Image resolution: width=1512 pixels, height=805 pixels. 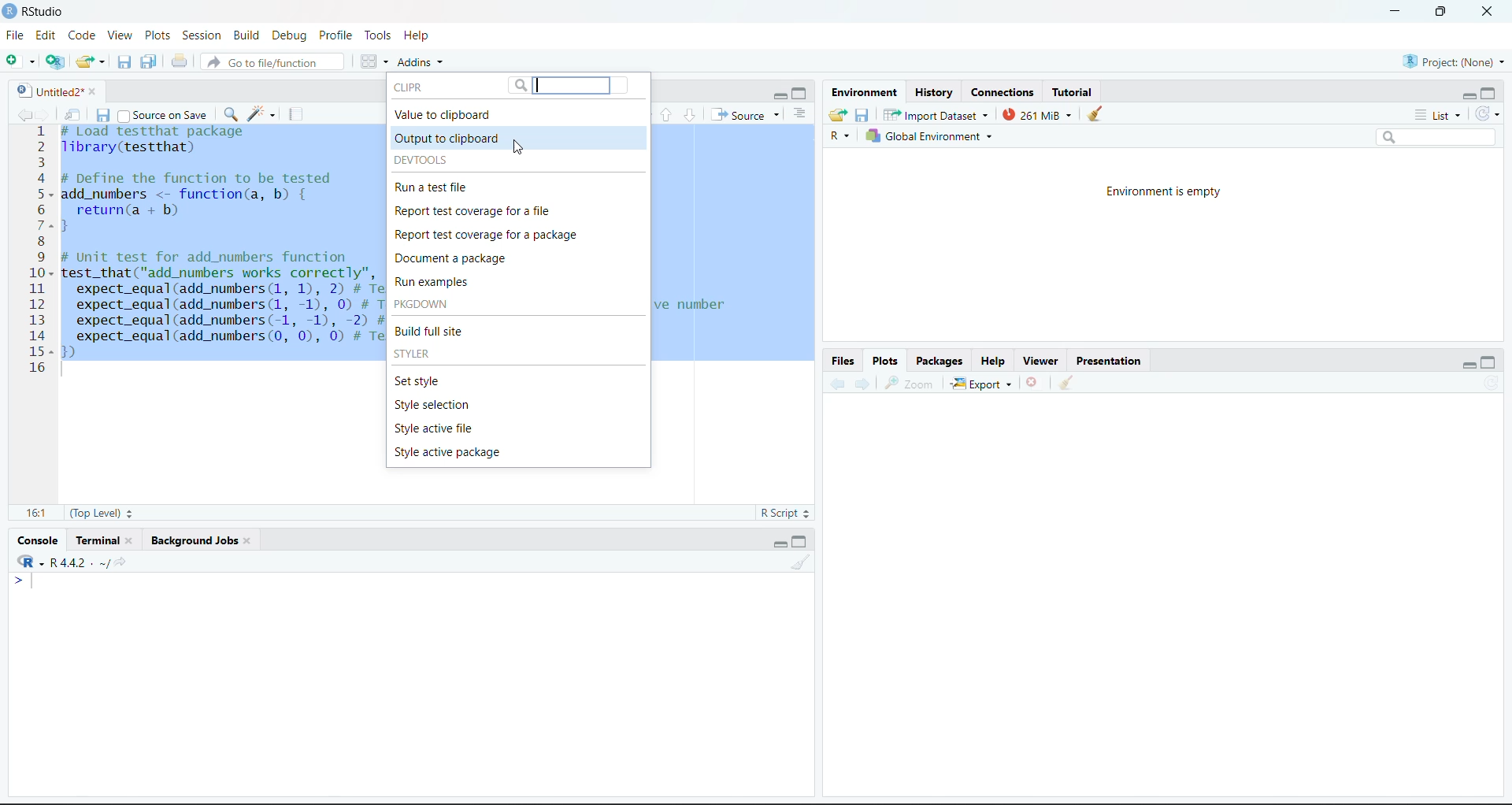 What do you see at coordinates (1436, 137) in the screenshot?
I see `Search bar` at bounding box center [1436, 137].